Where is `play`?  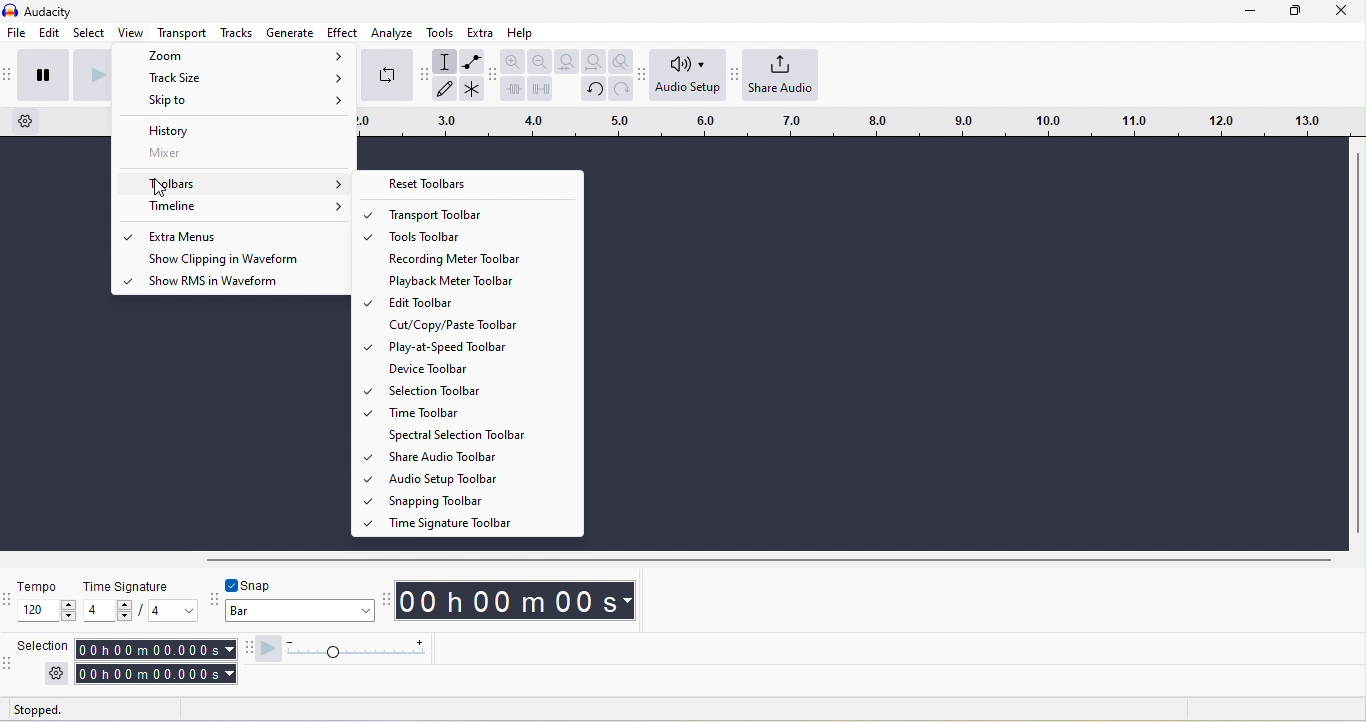 play is located at coordinates (90, 76).